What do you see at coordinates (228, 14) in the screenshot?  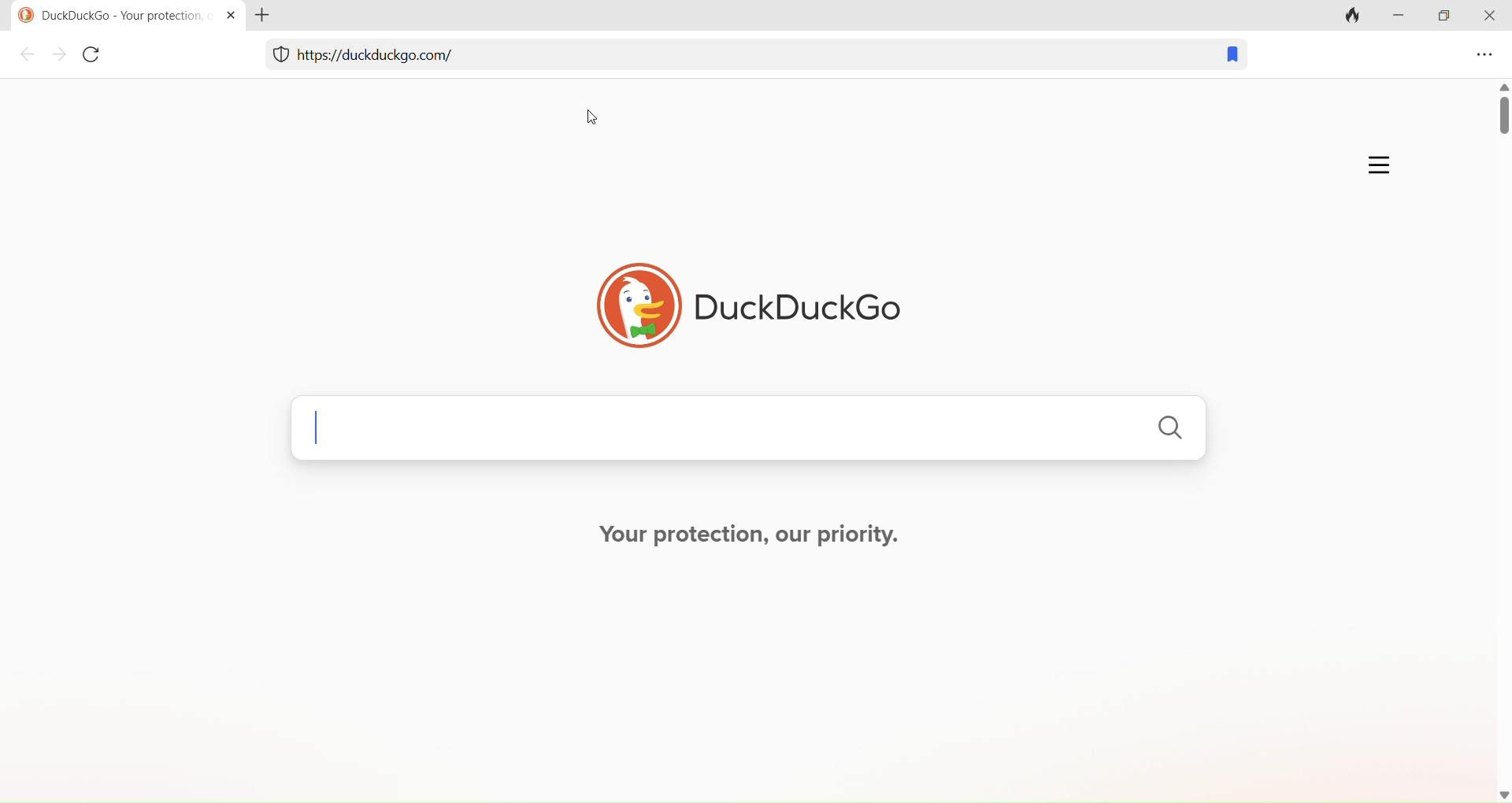 I see `close tab` at bounding box center [228, 14].